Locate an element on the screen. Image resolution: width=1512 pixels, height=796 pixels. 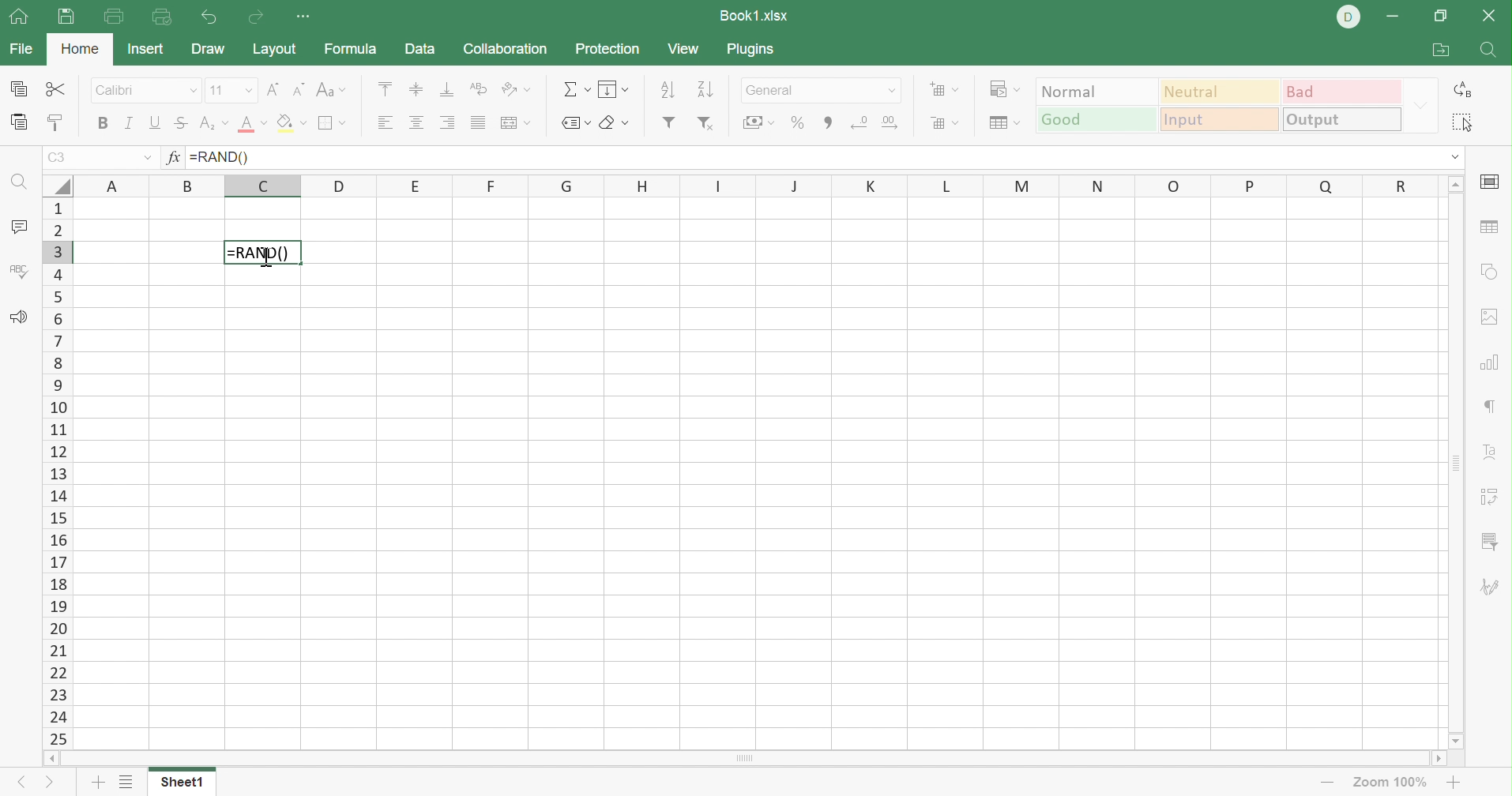
Open file location is located at coordinates (1442, 50).